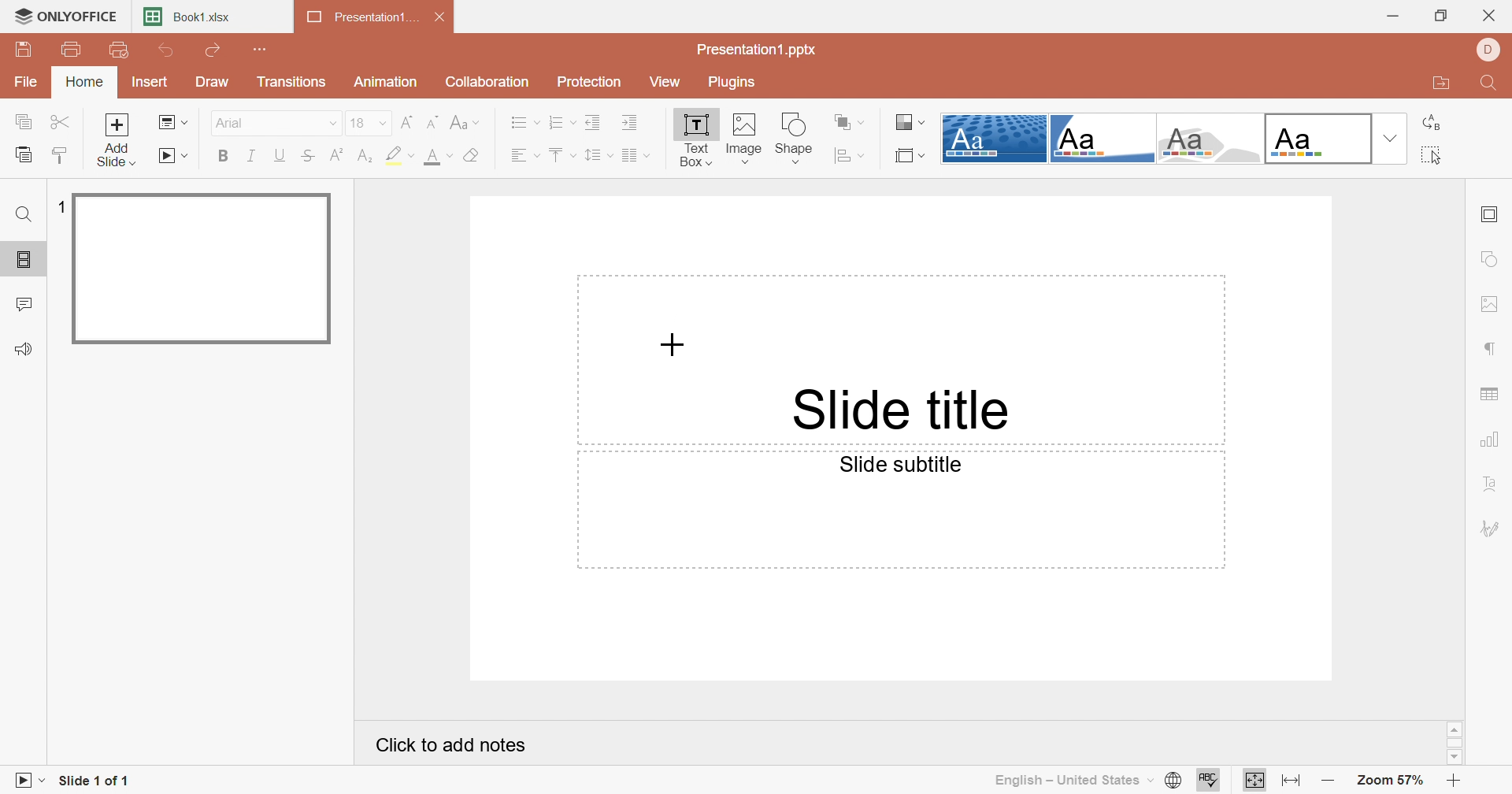  What do you see at coordinates (369, 123) in the screenshot?
I see `18` at bounding box center [369, 123].